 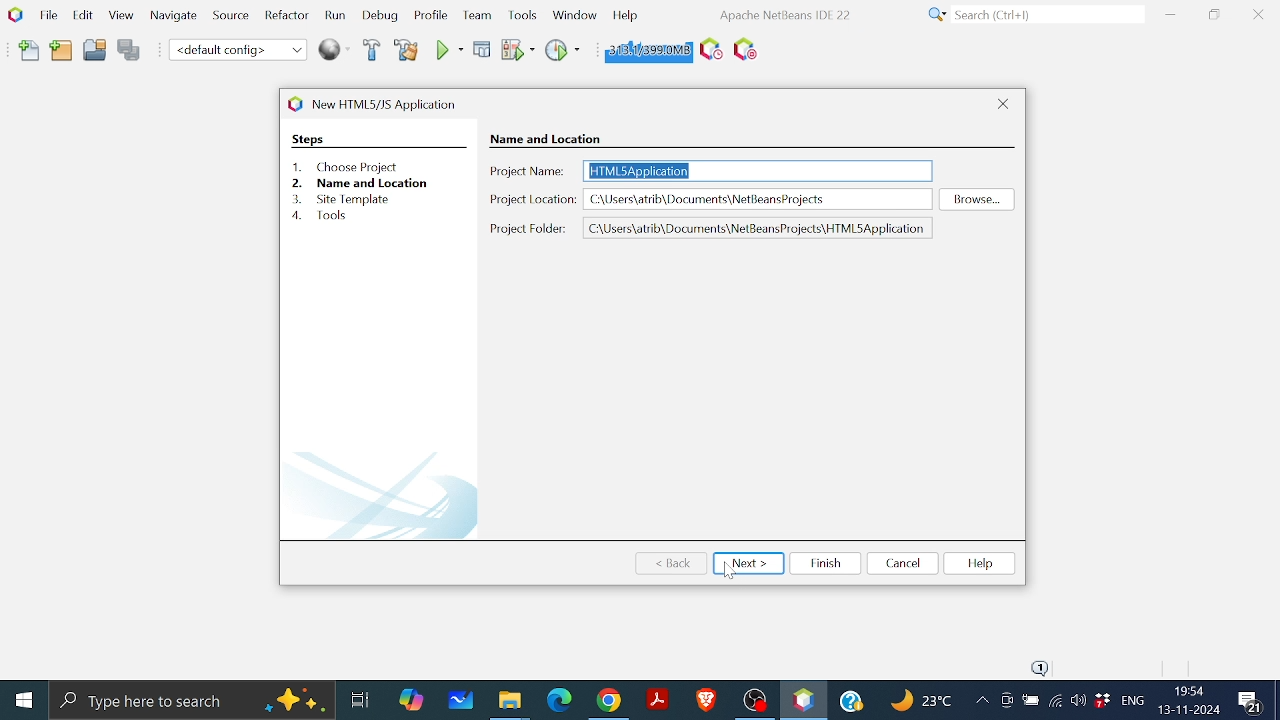 What do you see at coordinates (475, 16) in the screenshot?
I see `Team` at bounding box center [475, 16].